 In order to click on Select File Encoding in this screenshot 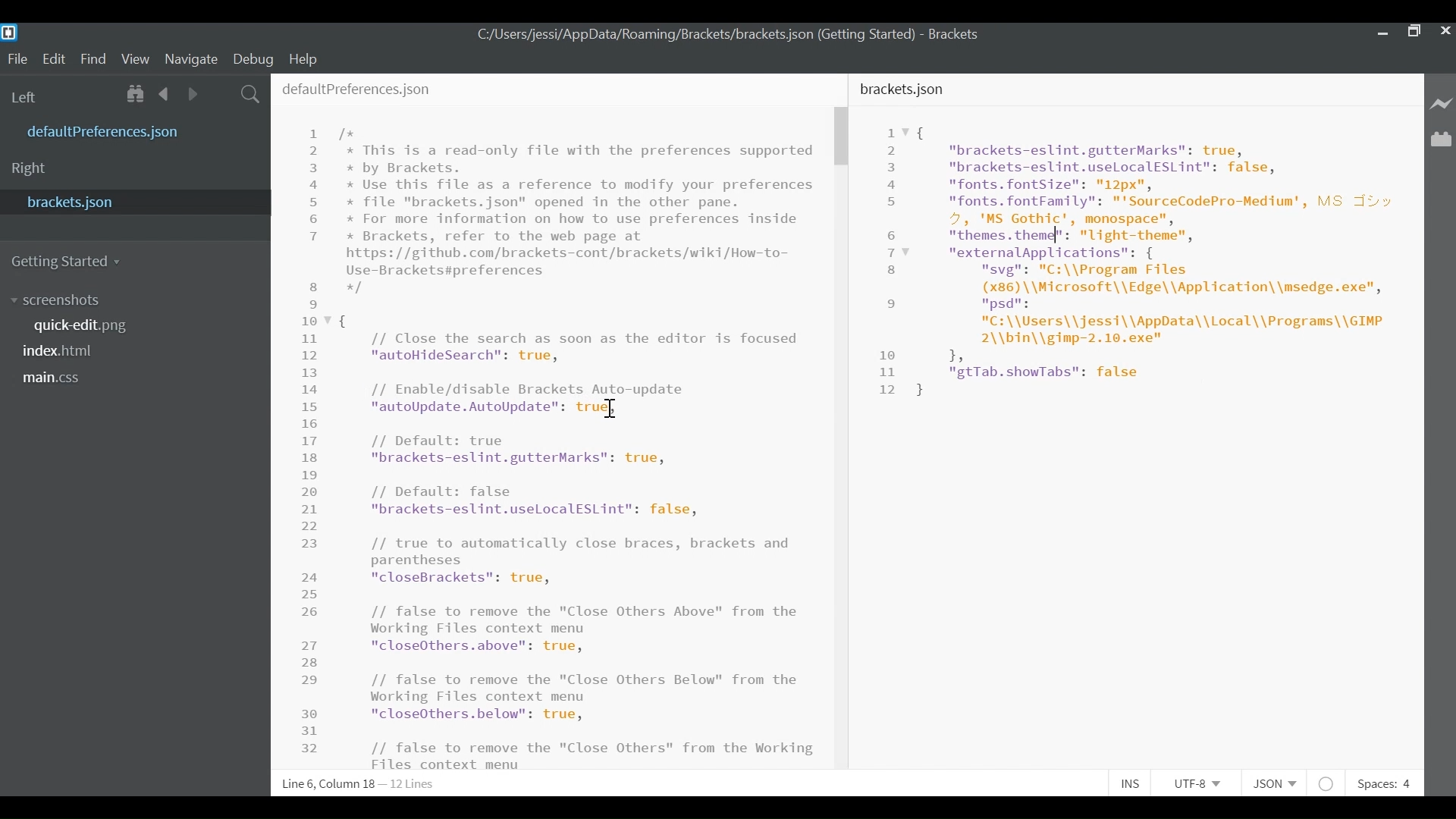, I will do `click(1197, 786)`.